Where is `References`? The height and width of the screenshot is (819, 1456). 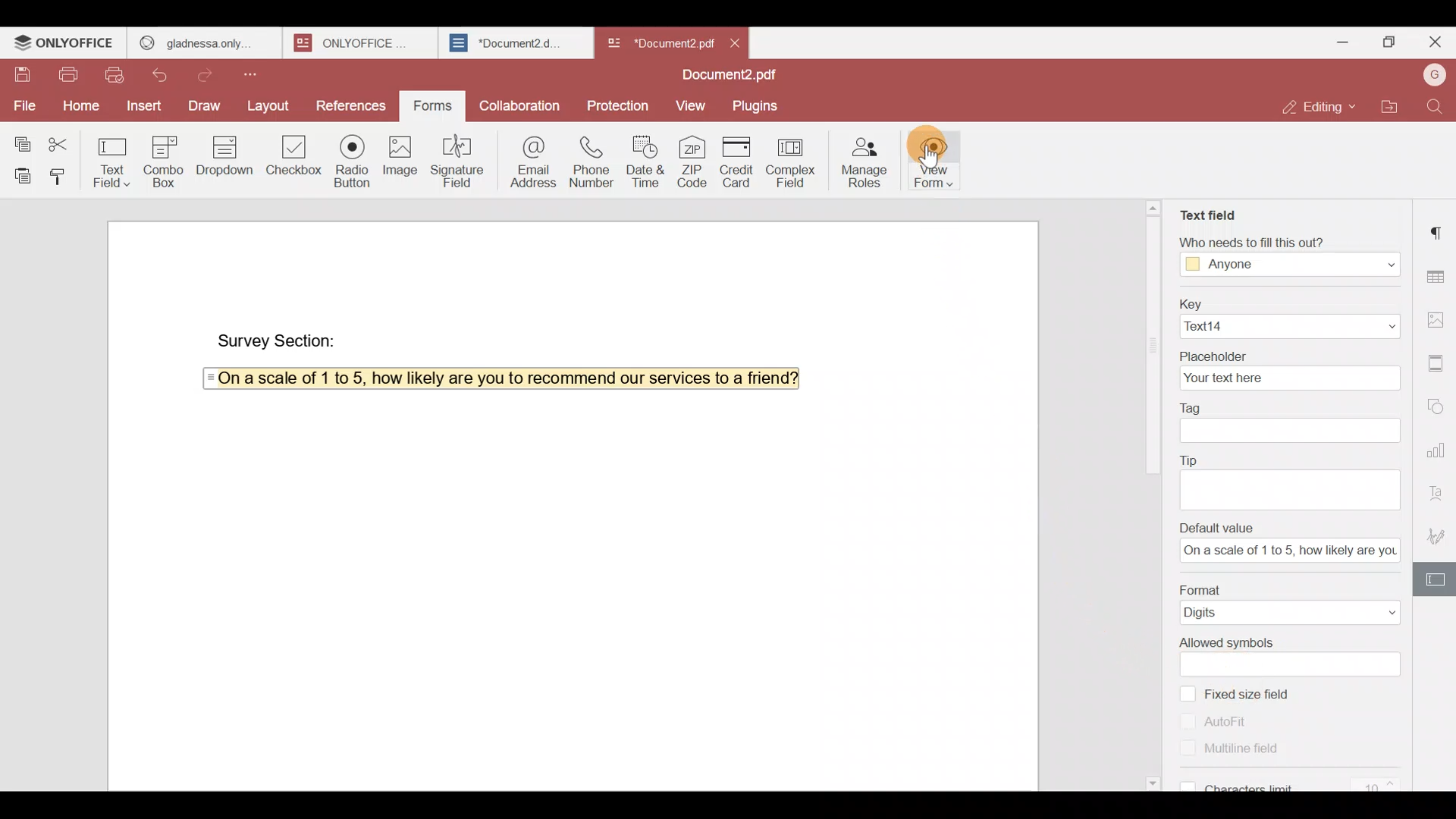 References is located at coordinates (350, 102).